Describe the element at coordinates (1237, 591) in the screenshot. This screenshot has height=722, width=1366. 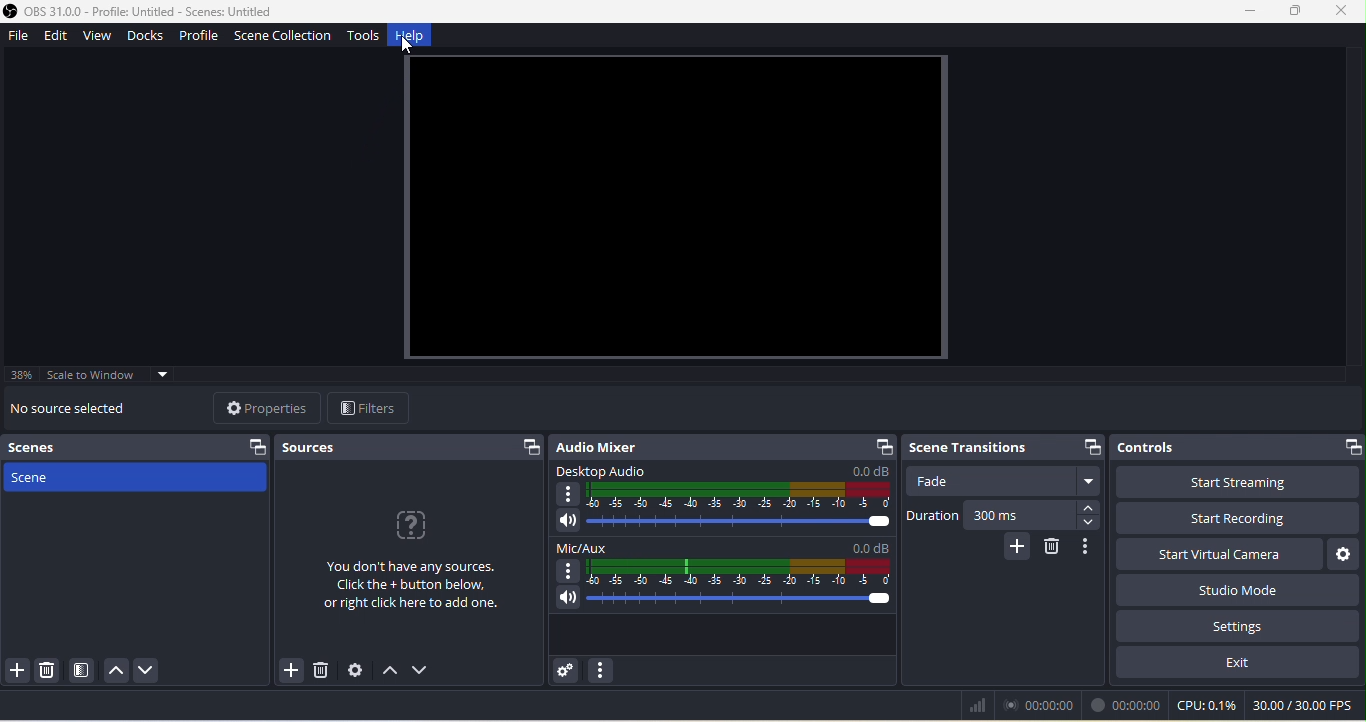
I see `studio mode` at that location.